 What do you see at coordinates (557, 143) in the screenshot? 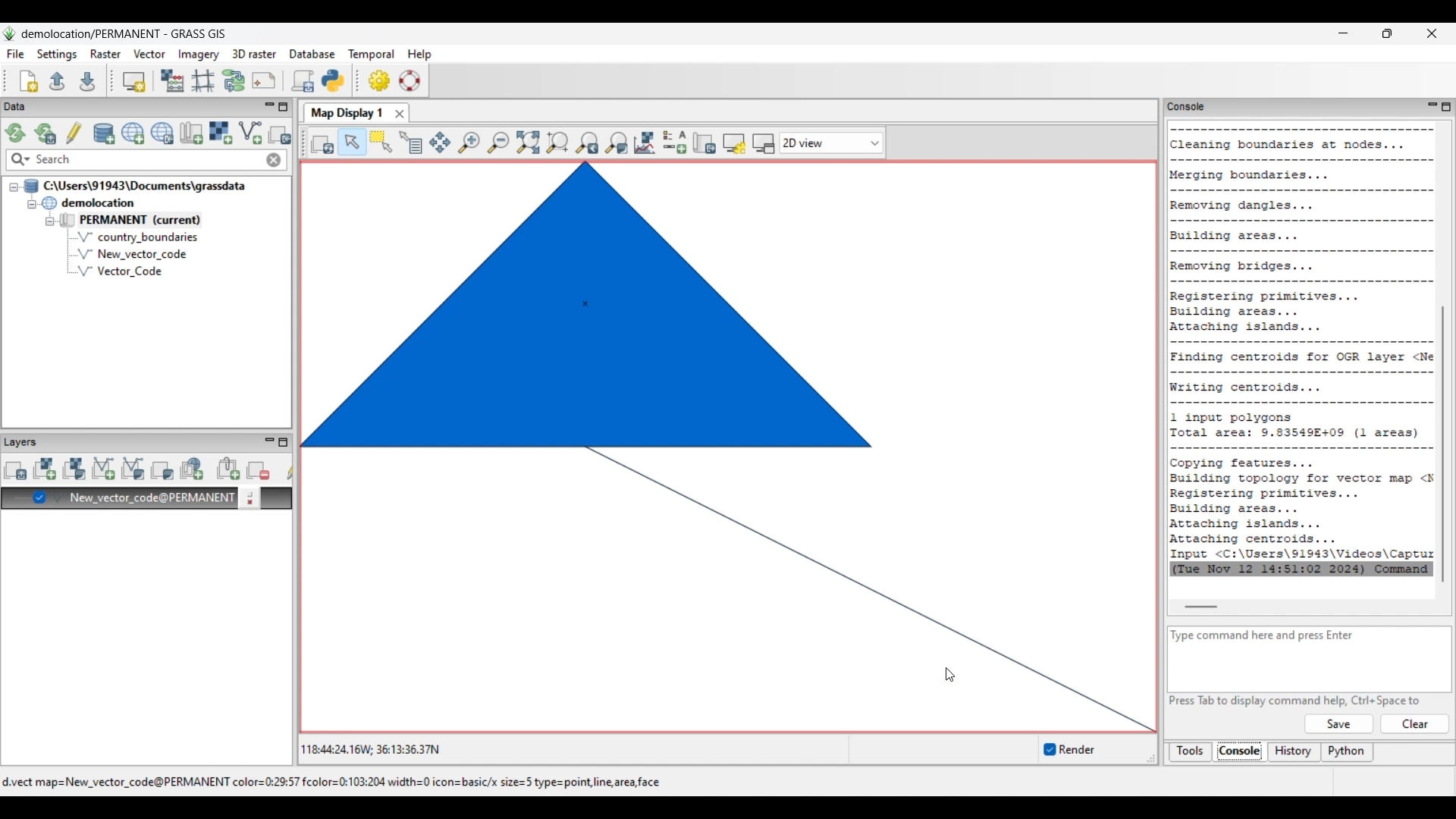
I see `Zoom to computational region extent` at bounding box center [557, 143].